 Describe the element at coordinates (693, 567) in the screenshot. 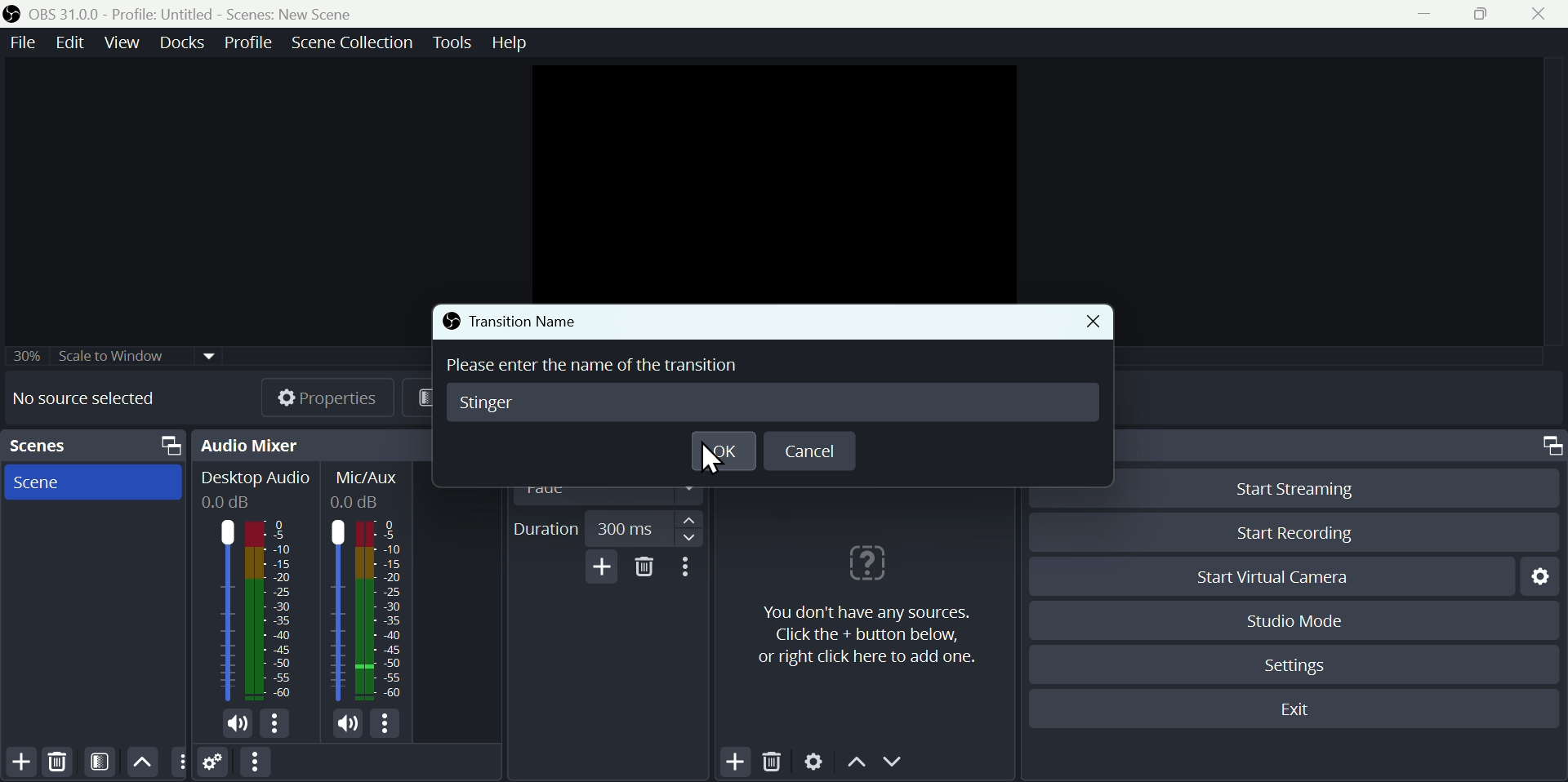

I see `more options` at that location.